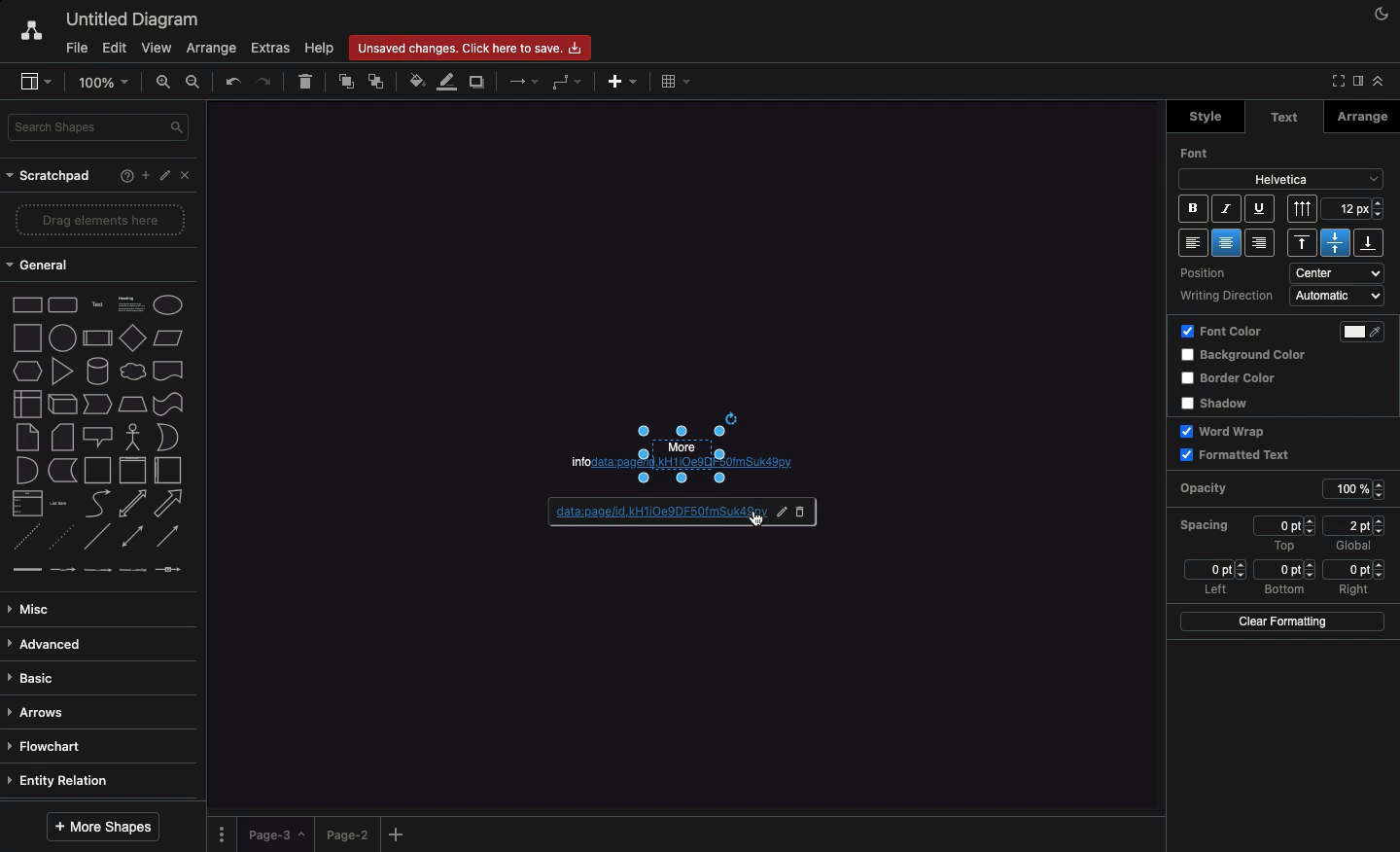 The height and width of the screenshot is (852, 1400). I want to click on Arrange, so click(1363, 117).